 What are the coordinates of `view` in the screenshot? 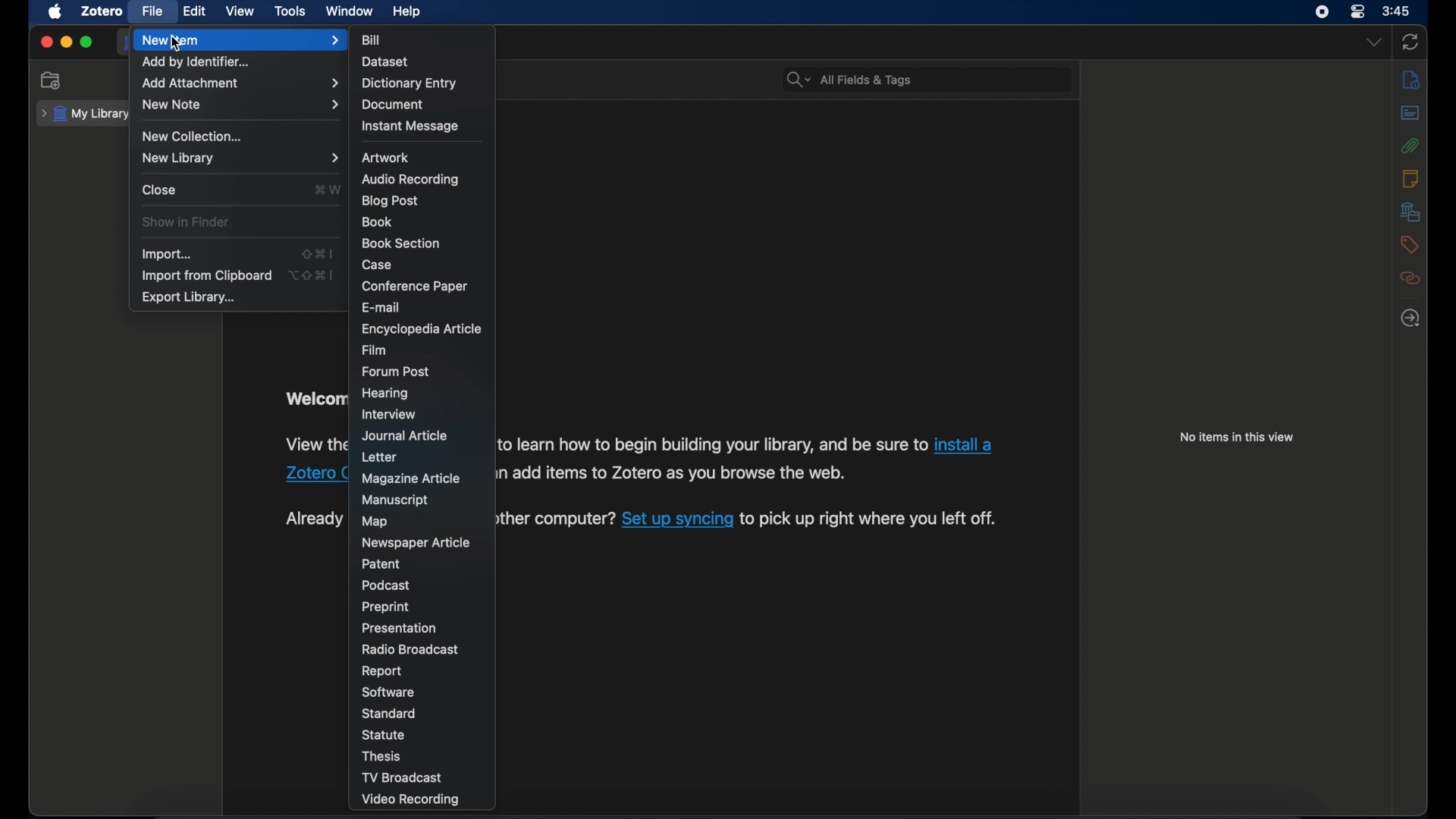 It's located at (240, 11).